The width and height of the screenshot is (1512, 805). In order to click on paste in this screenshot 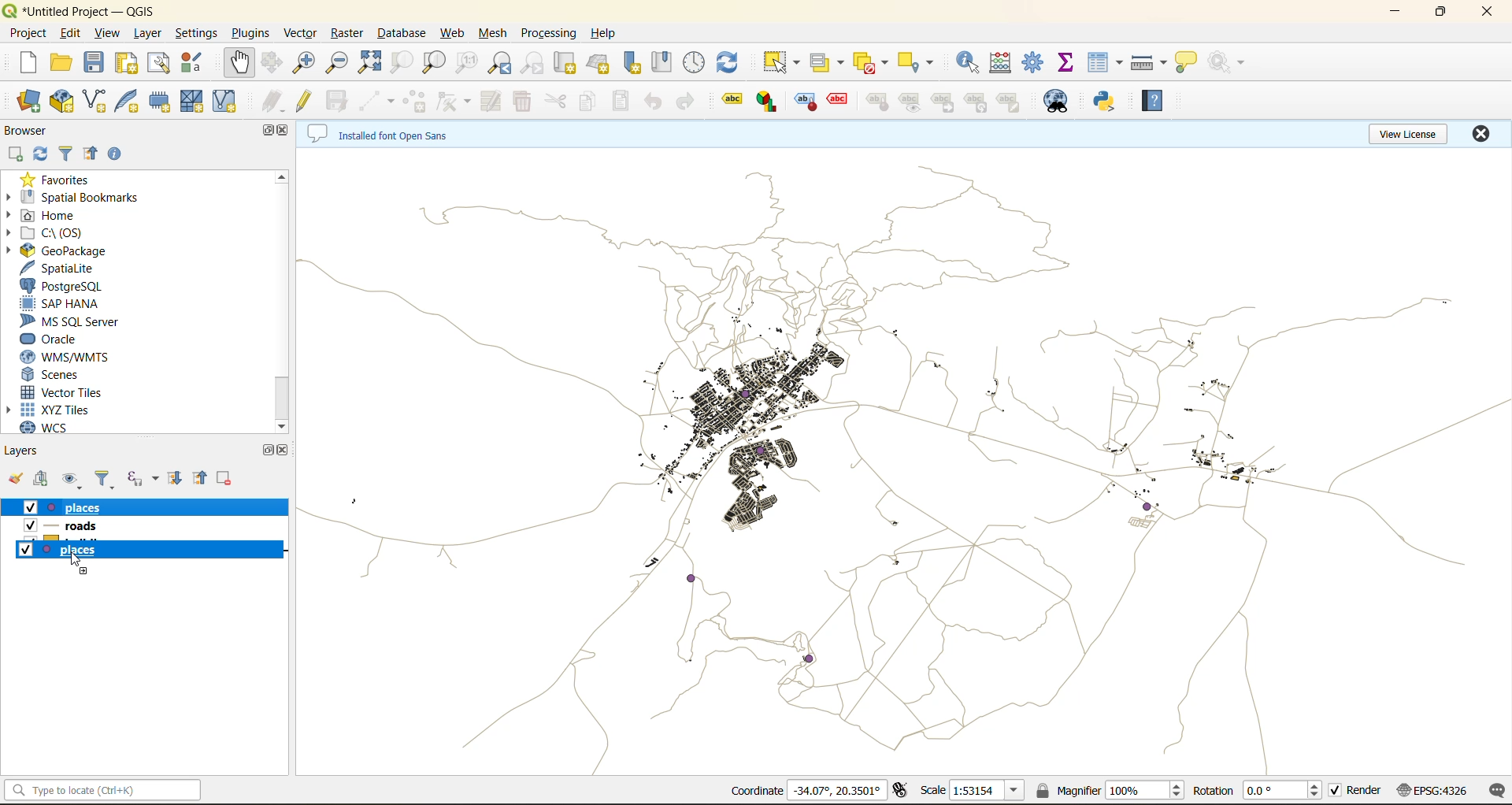, I will do `click(624, 102)`.